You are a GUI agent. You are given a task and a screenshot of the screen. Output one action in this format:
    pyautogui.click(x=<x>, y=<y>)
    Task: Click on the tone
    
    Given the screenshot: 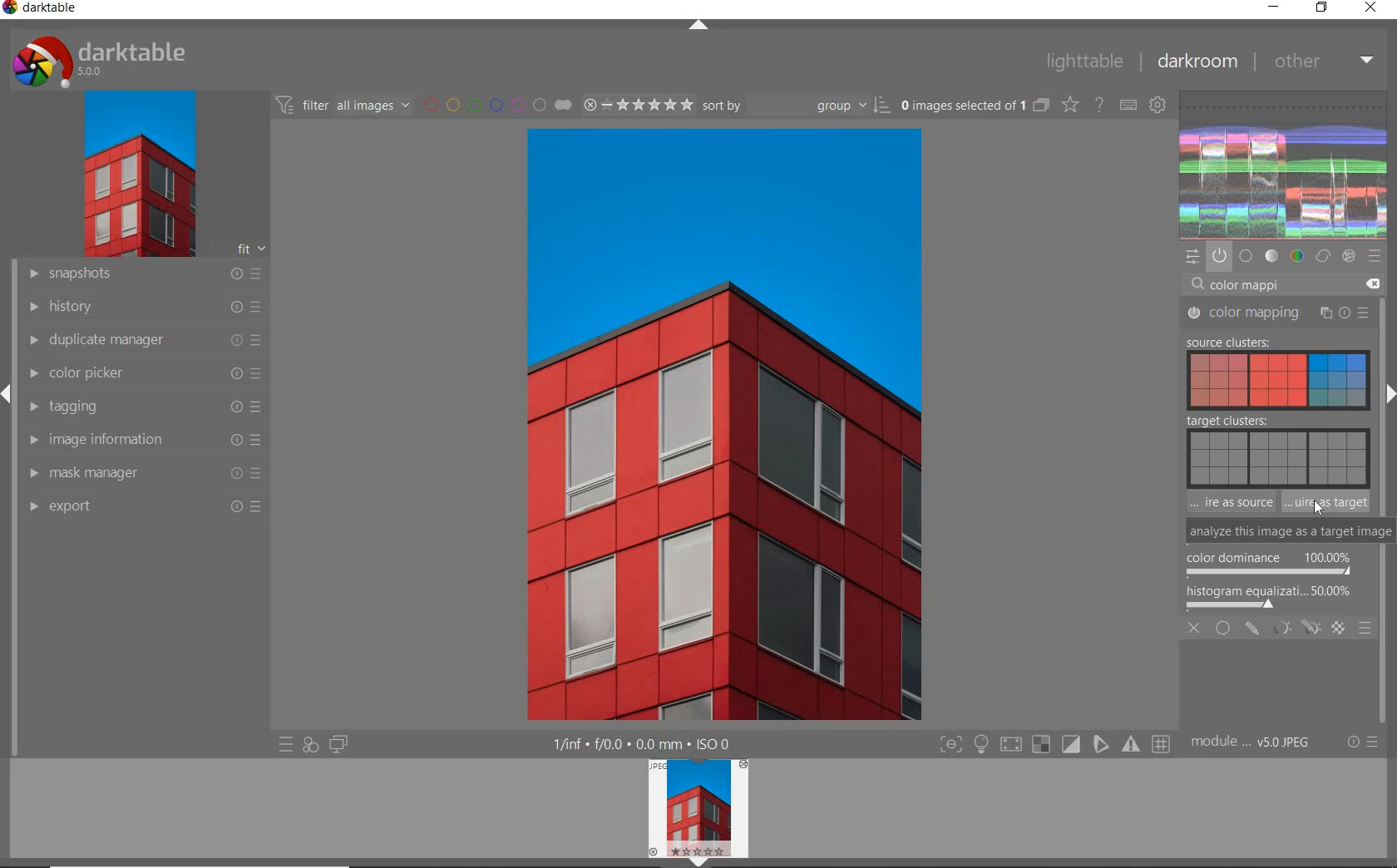 What is the action you would take?
    pyautogui.click(x=1271, y=257)
    